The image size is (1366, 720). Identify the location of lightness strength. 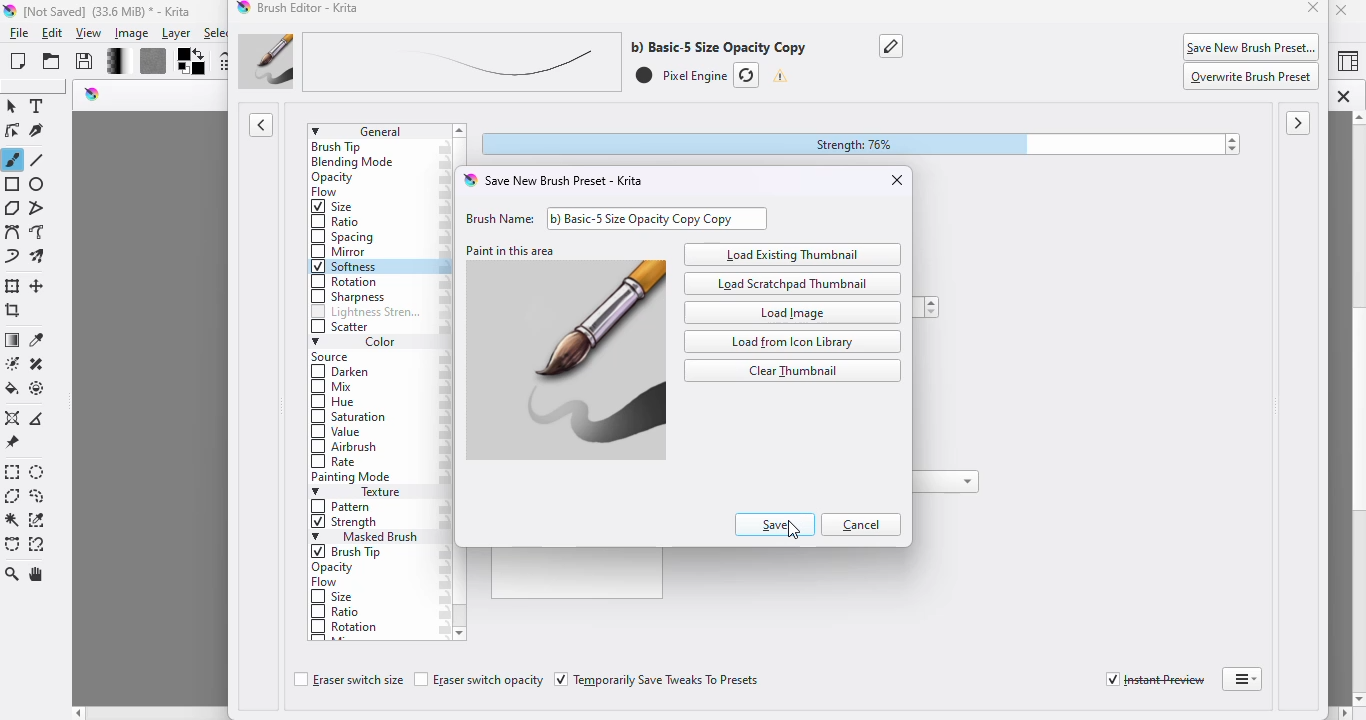
(366, 313).